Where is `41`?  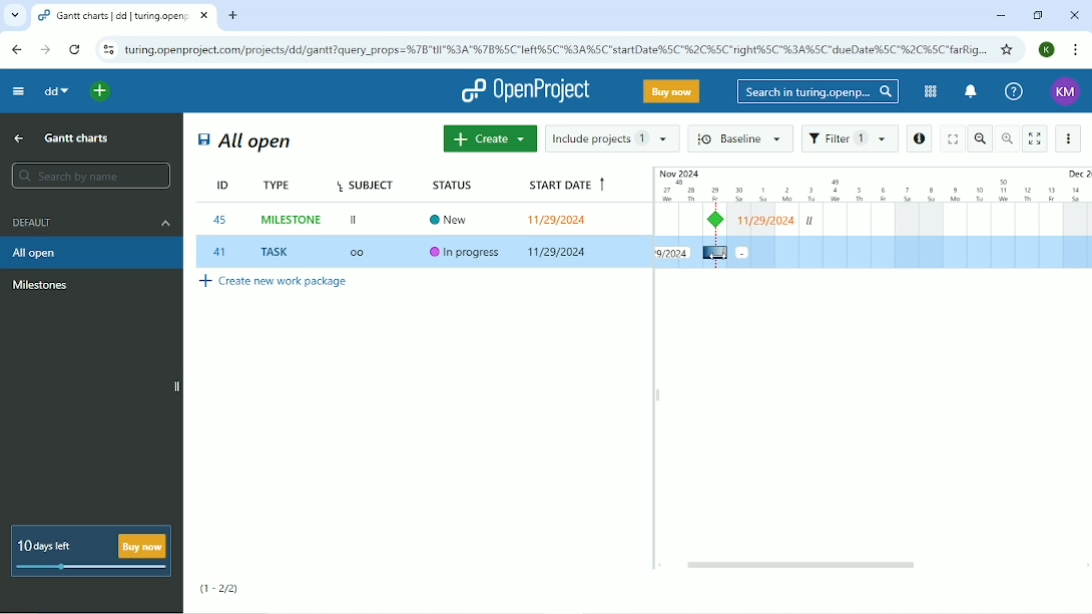
41 is located at coordinates (220, 252).